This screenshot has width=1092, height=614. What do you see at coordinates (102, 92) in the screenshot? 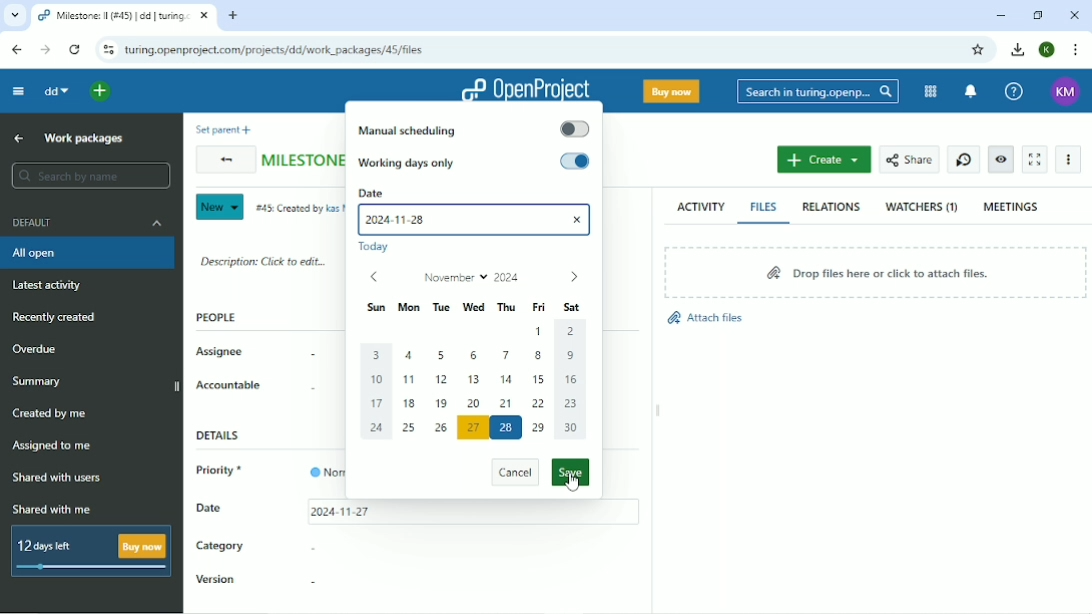
I see `Open quick add menu` at bounding box center [102, 92].